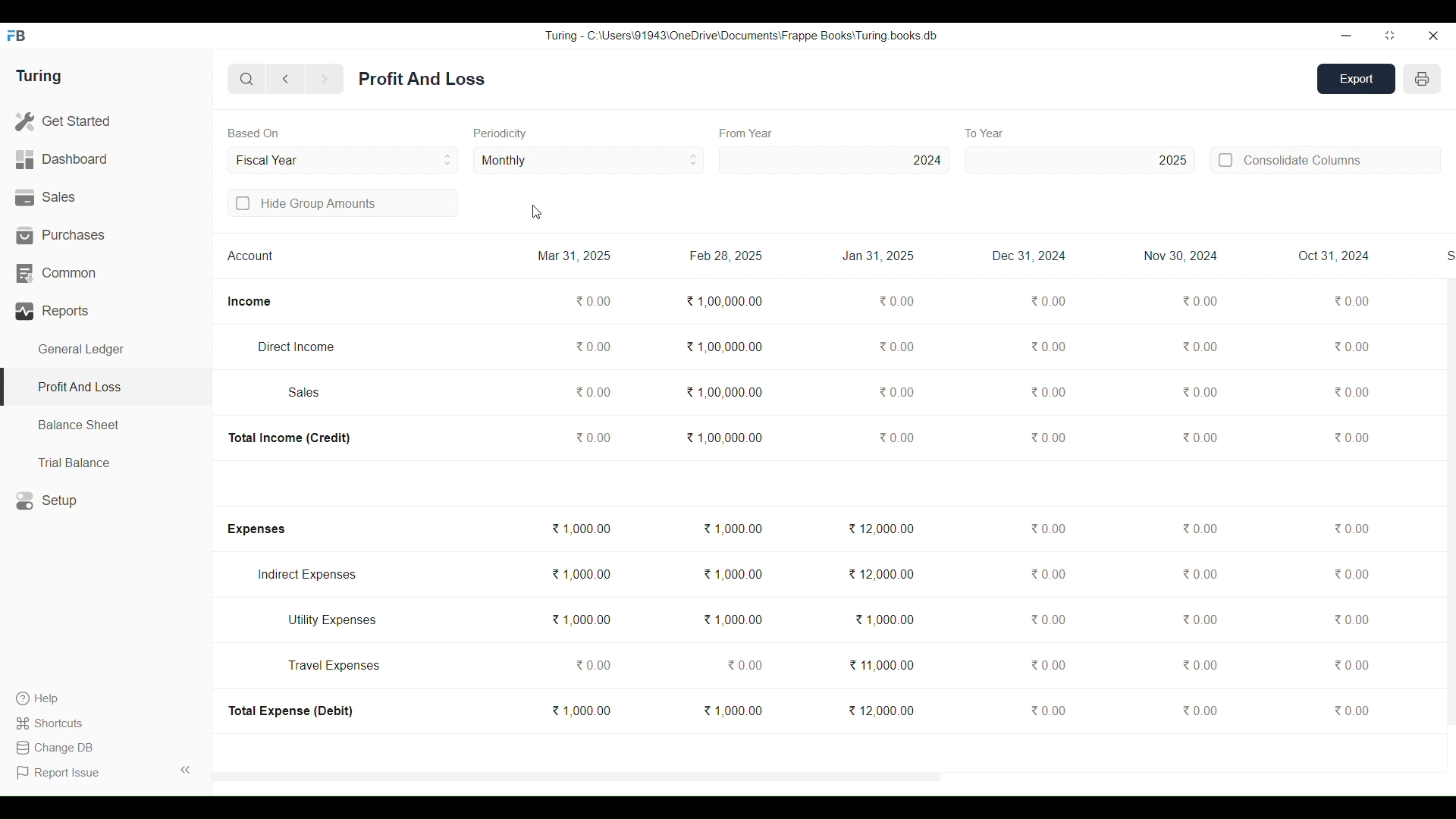  Describe the element at coordinates (1198, 392) in the screenshot. I see `0.00` at that location.